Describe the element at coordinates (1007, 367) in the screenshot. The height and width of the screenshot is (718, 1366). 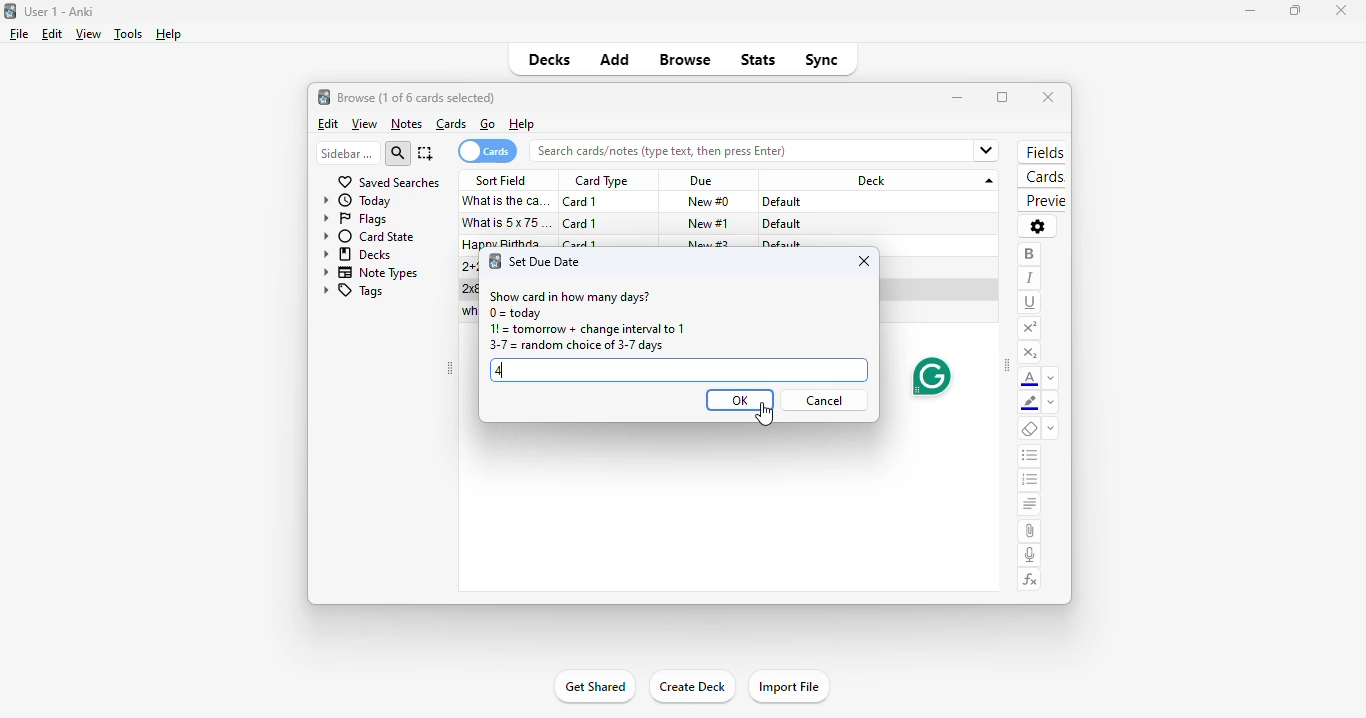
I see `toggle sidebar` at that location.